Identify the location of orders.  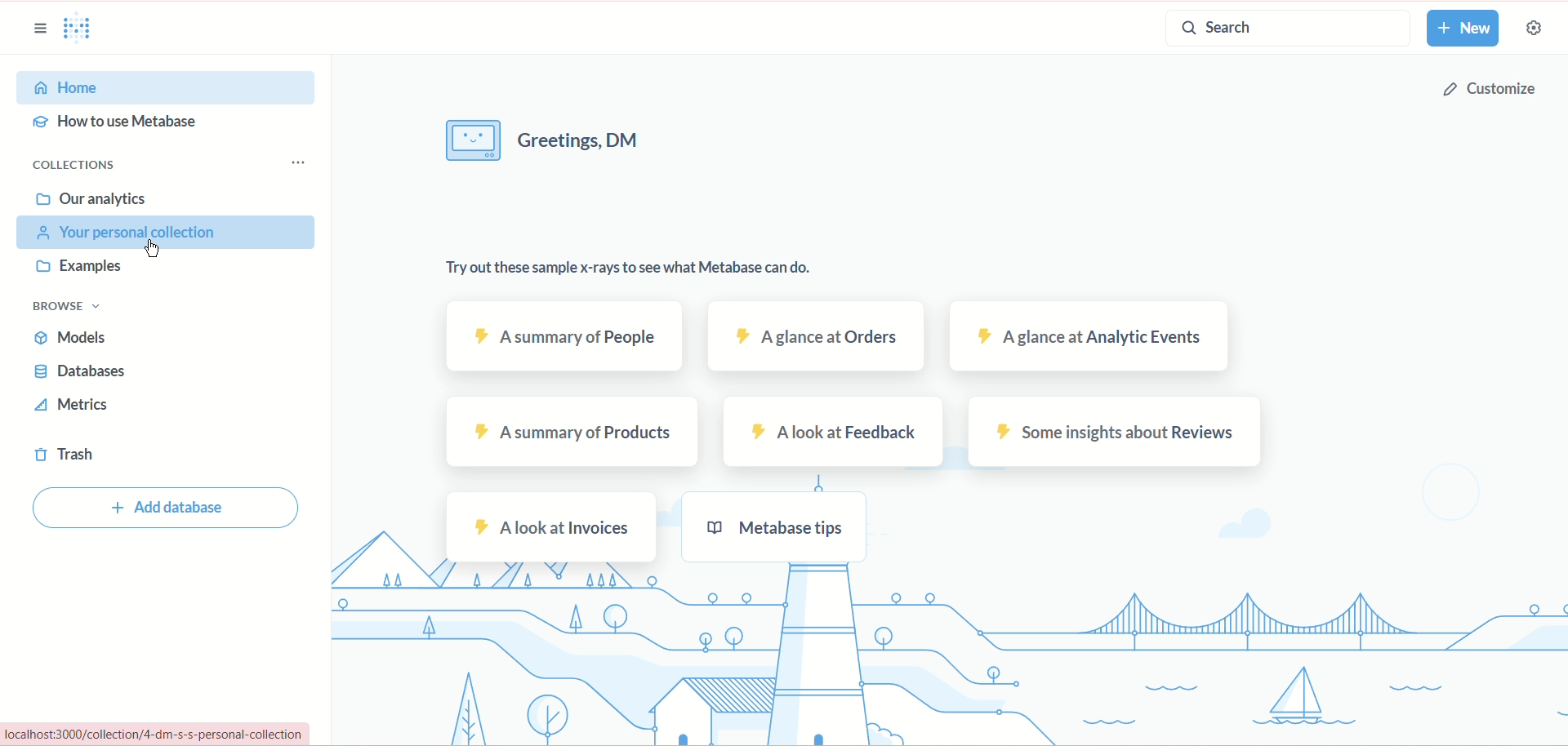
(813, 338).